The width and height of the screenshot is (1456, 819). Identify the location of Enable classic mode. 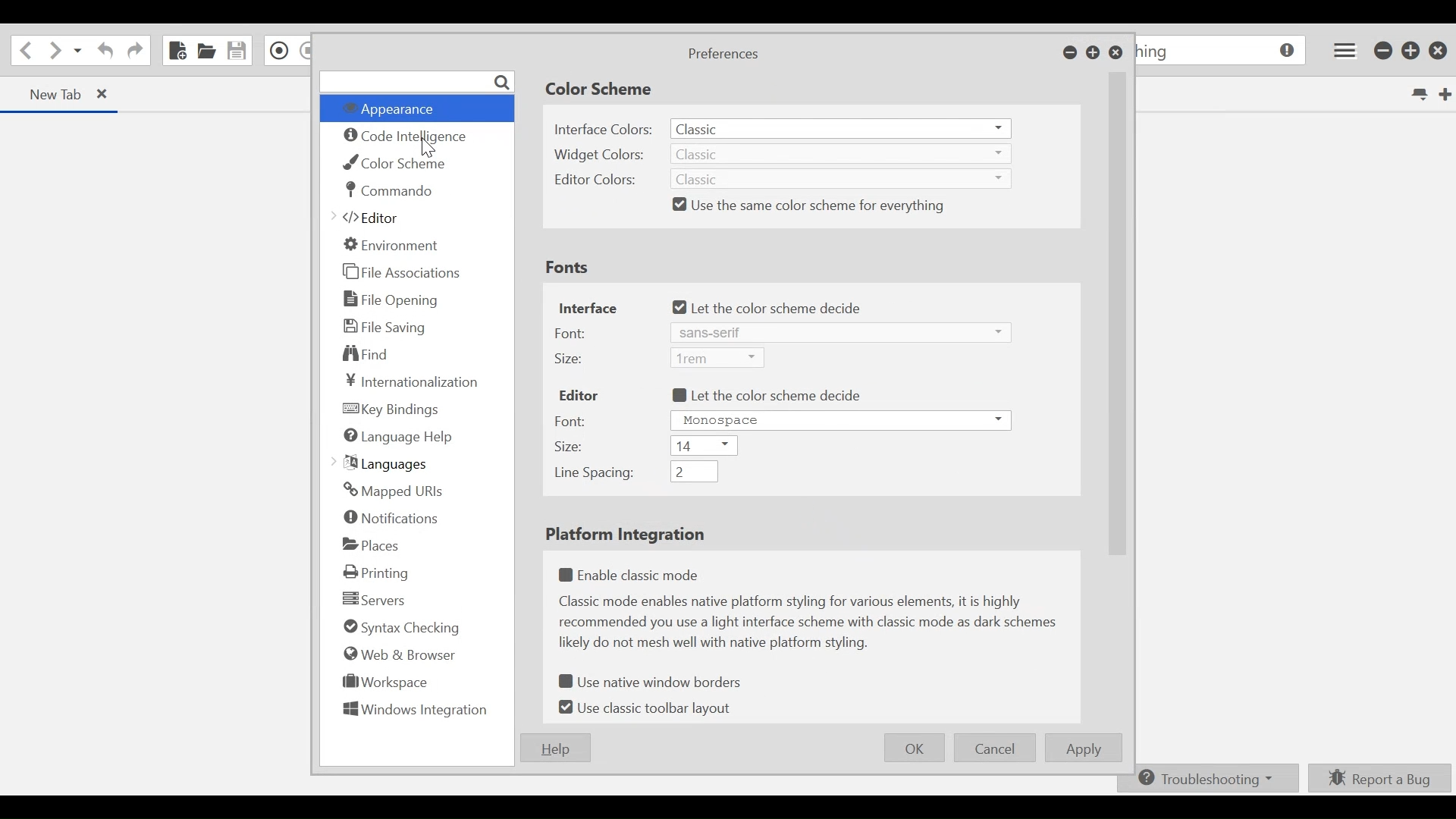
(636, 572).